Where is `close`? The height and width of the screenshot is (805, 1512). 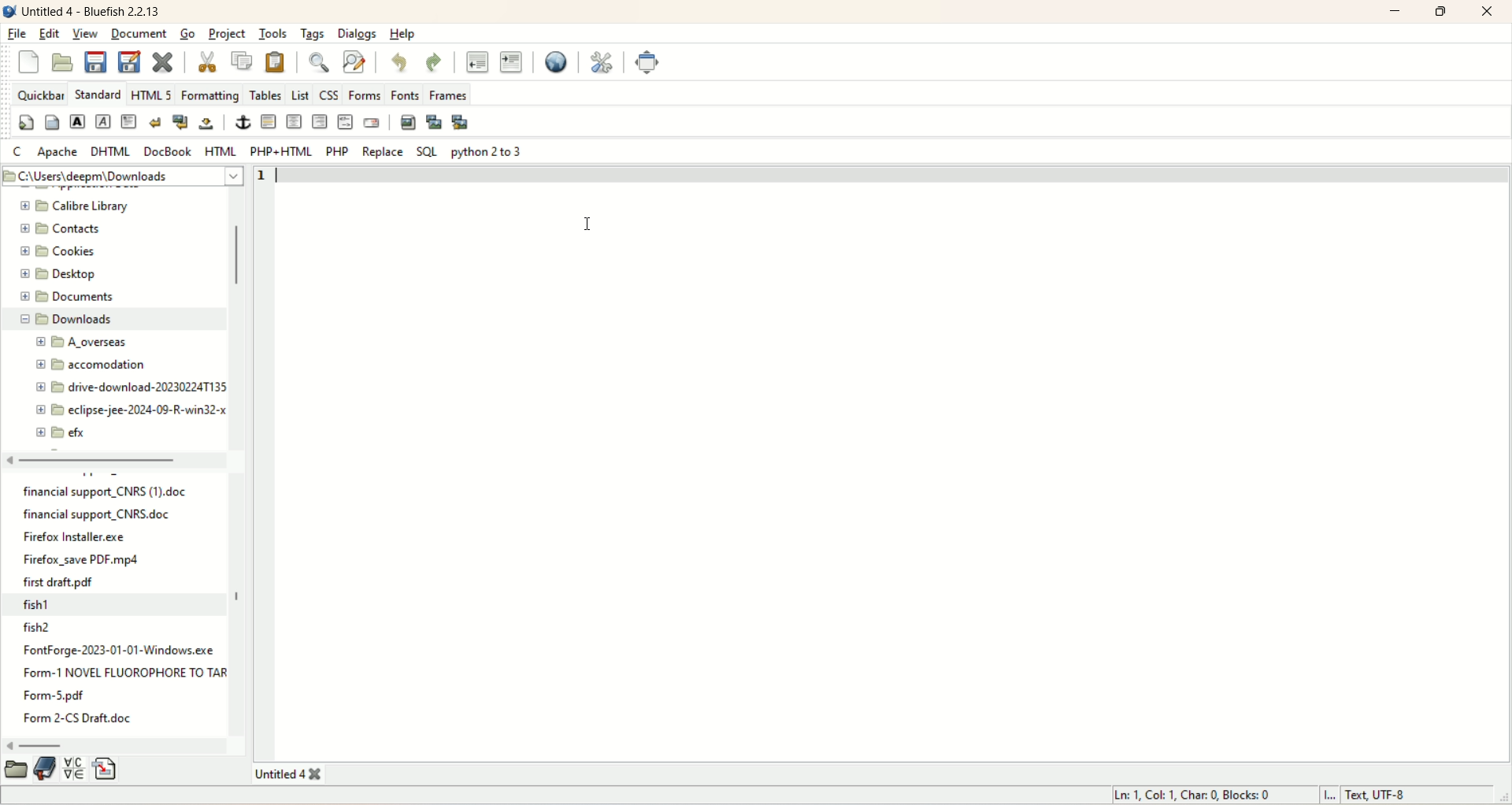 close is located at coordinates (1487, 11).